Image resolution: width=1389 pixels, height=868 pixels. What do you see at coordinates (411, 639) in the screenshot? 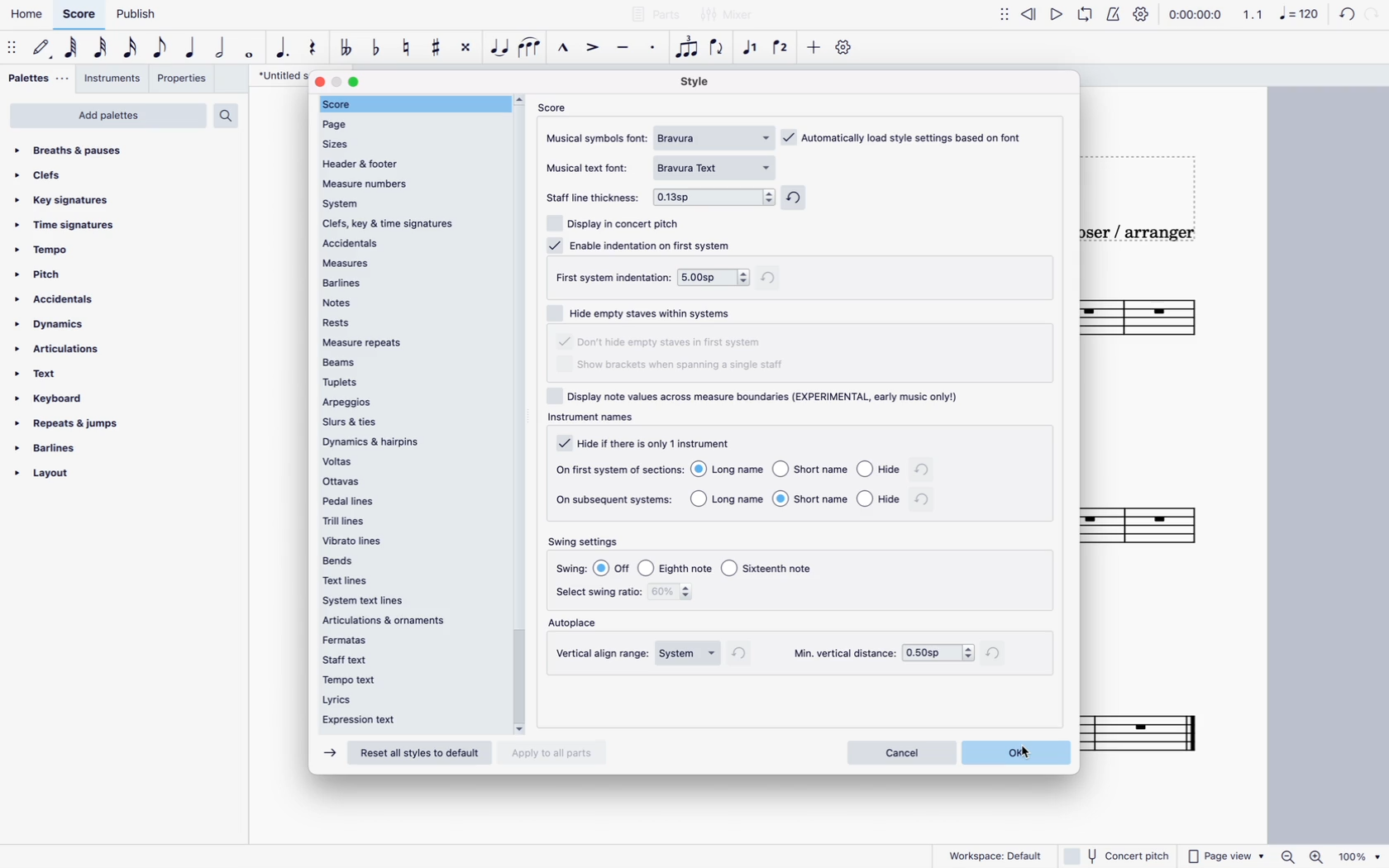
I see `fermatas` at bounding box center [411, 639].